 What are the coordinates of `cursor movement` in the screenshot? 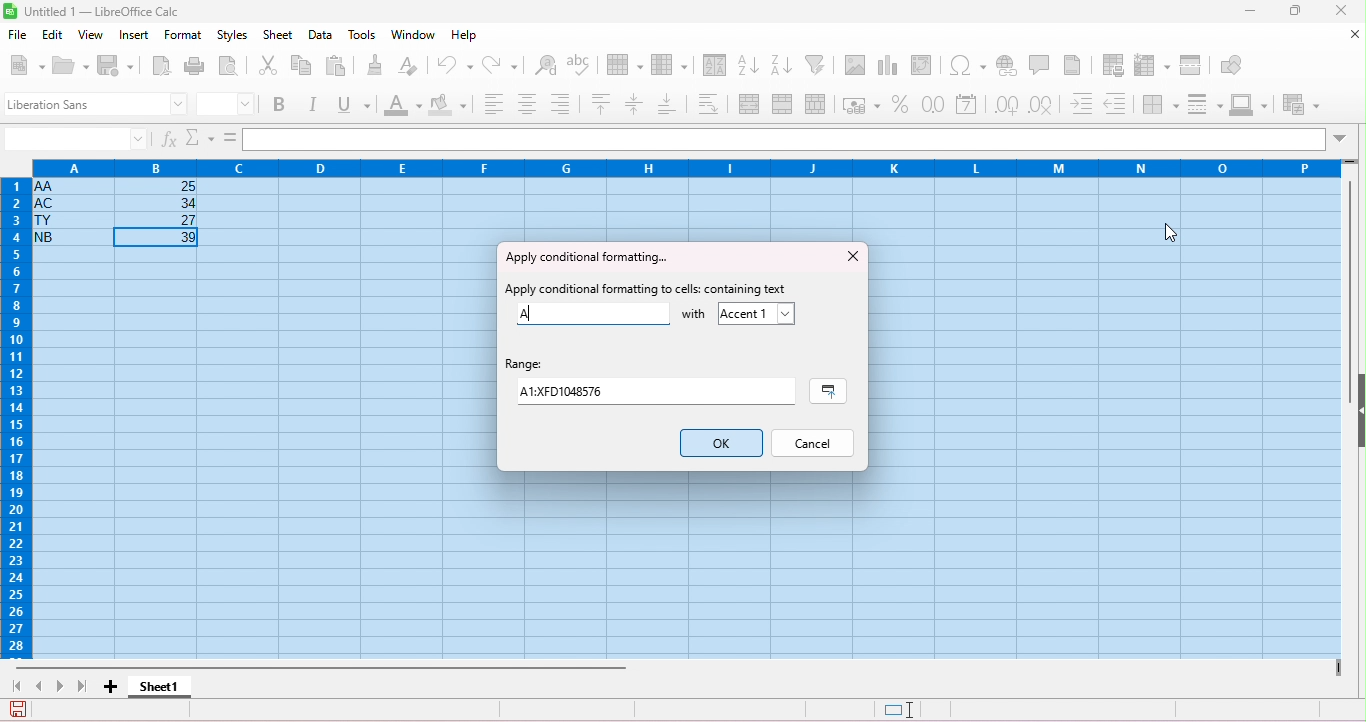 It's located at (1171, 232).